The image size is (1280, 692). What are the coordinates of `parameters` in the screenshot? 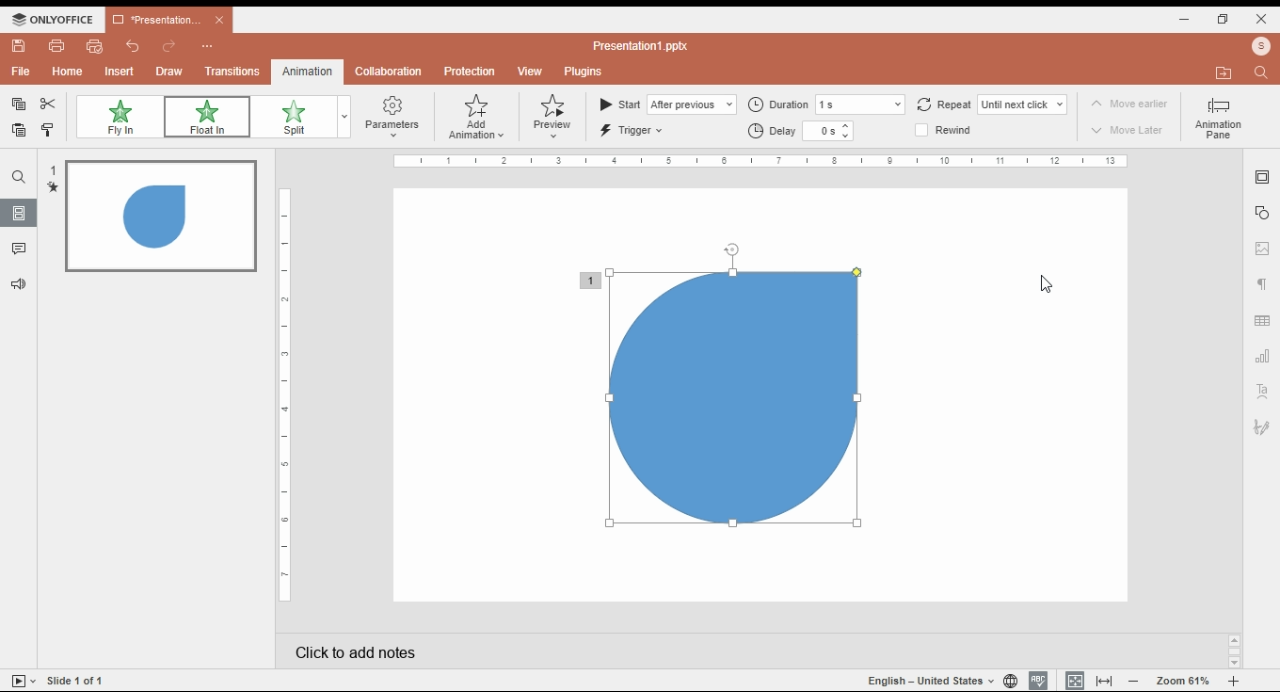 It's located at (390, 116).